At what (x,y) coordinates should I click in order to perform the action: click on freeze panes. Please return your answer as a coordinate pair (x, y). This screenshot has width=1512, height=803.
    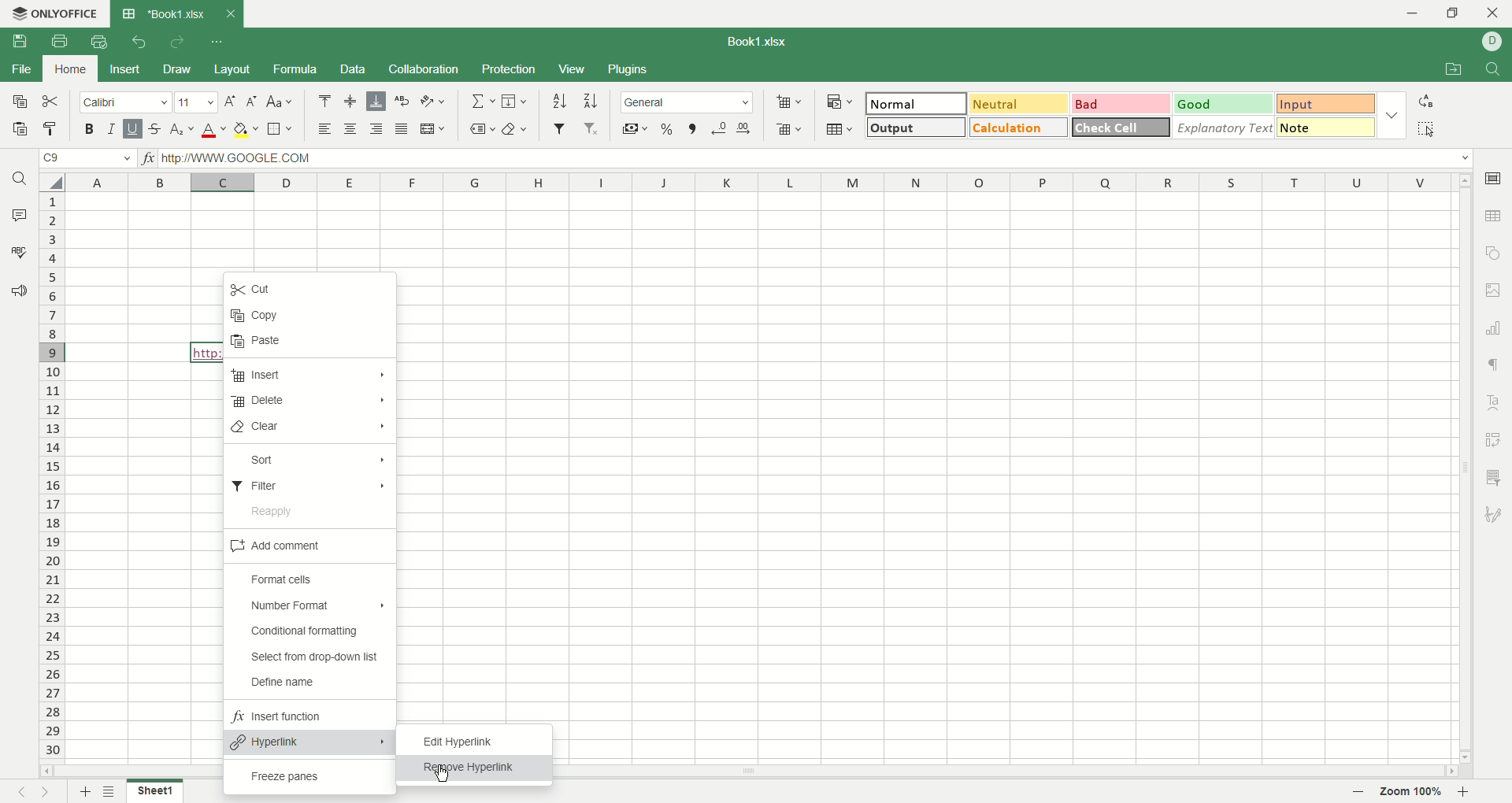
    Looking at the image, I should click on (297, 777).